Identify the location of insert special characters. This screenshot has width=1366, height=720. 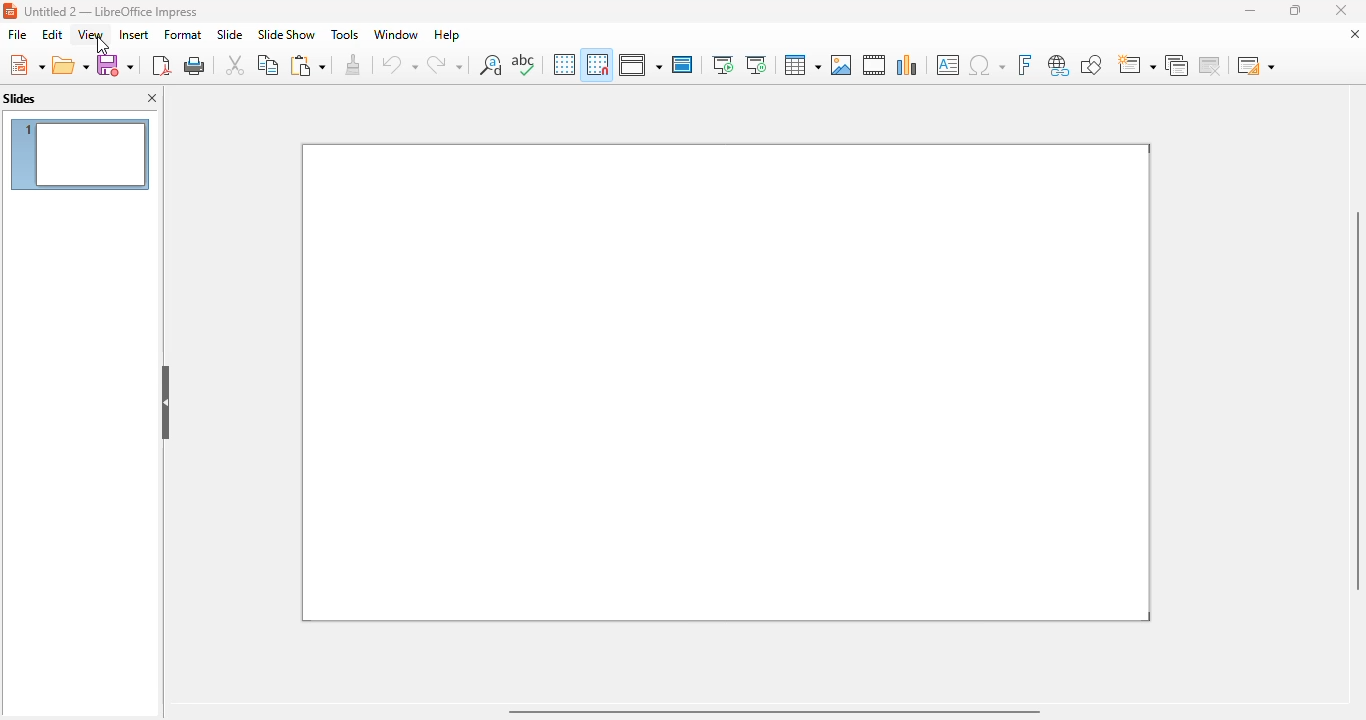
(986, 65).